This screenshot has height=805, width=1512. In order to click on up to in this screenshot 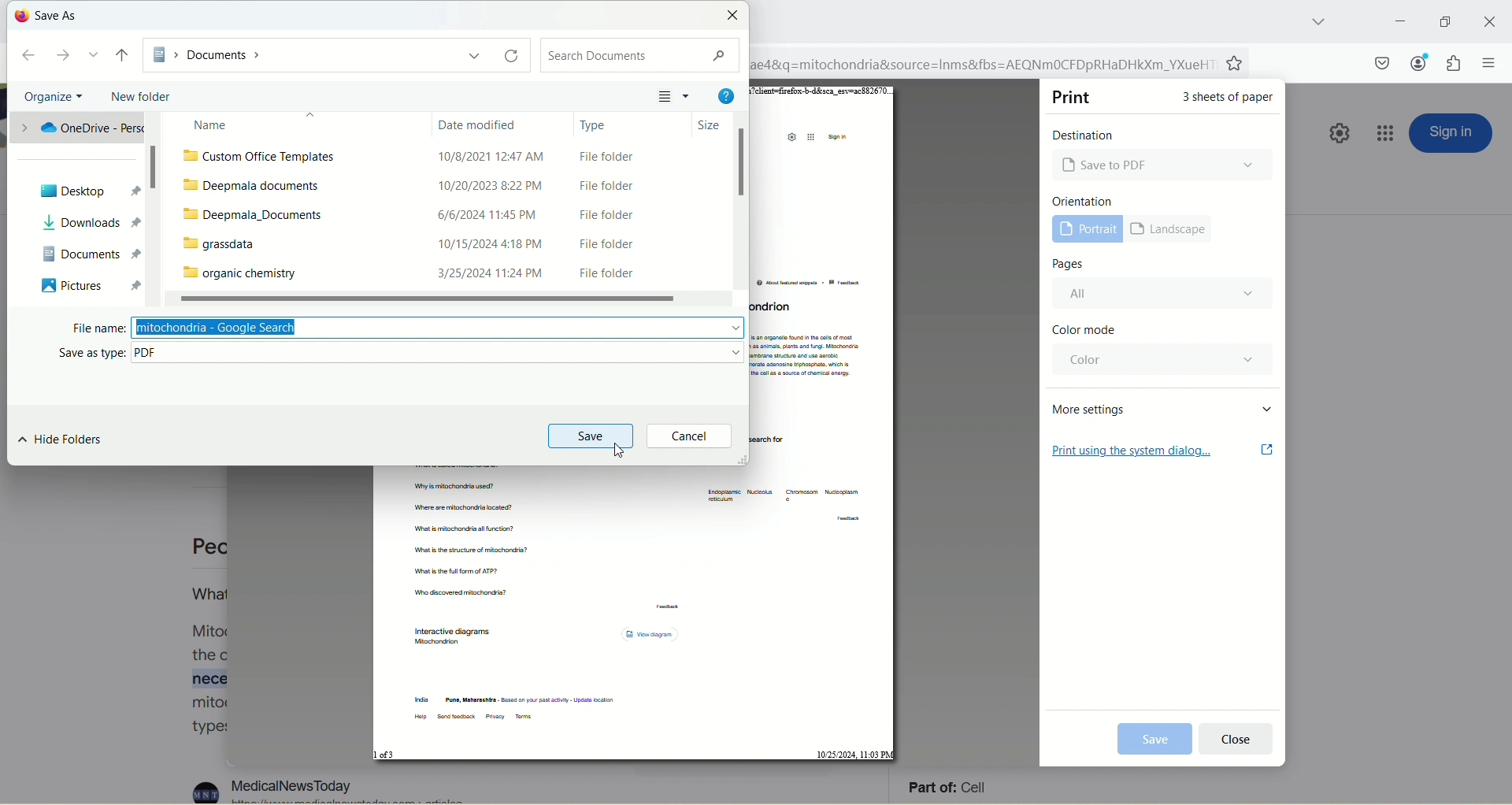, I will do `click(120, 54)`.